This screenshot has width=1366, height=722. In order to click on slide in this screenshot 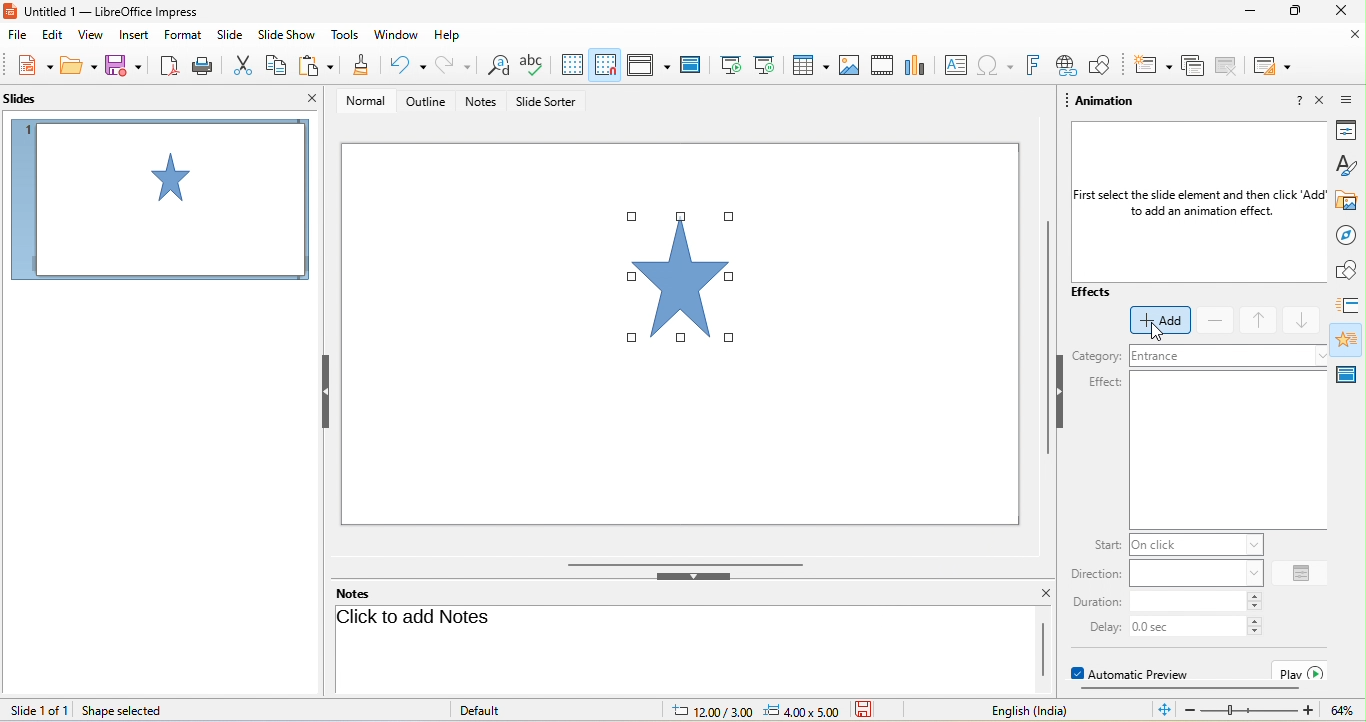, I will do `click(231, 36)`.